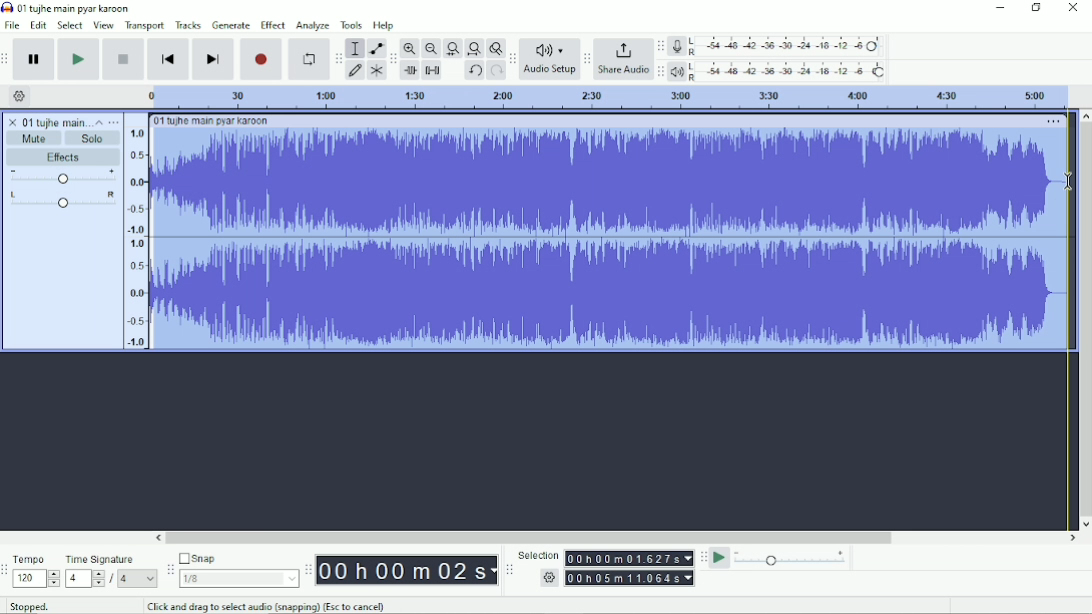 Image resolution: width=1092 pixels, height=614 pixels. I want to click on Audacity tools toolbar, so click(338, 58).